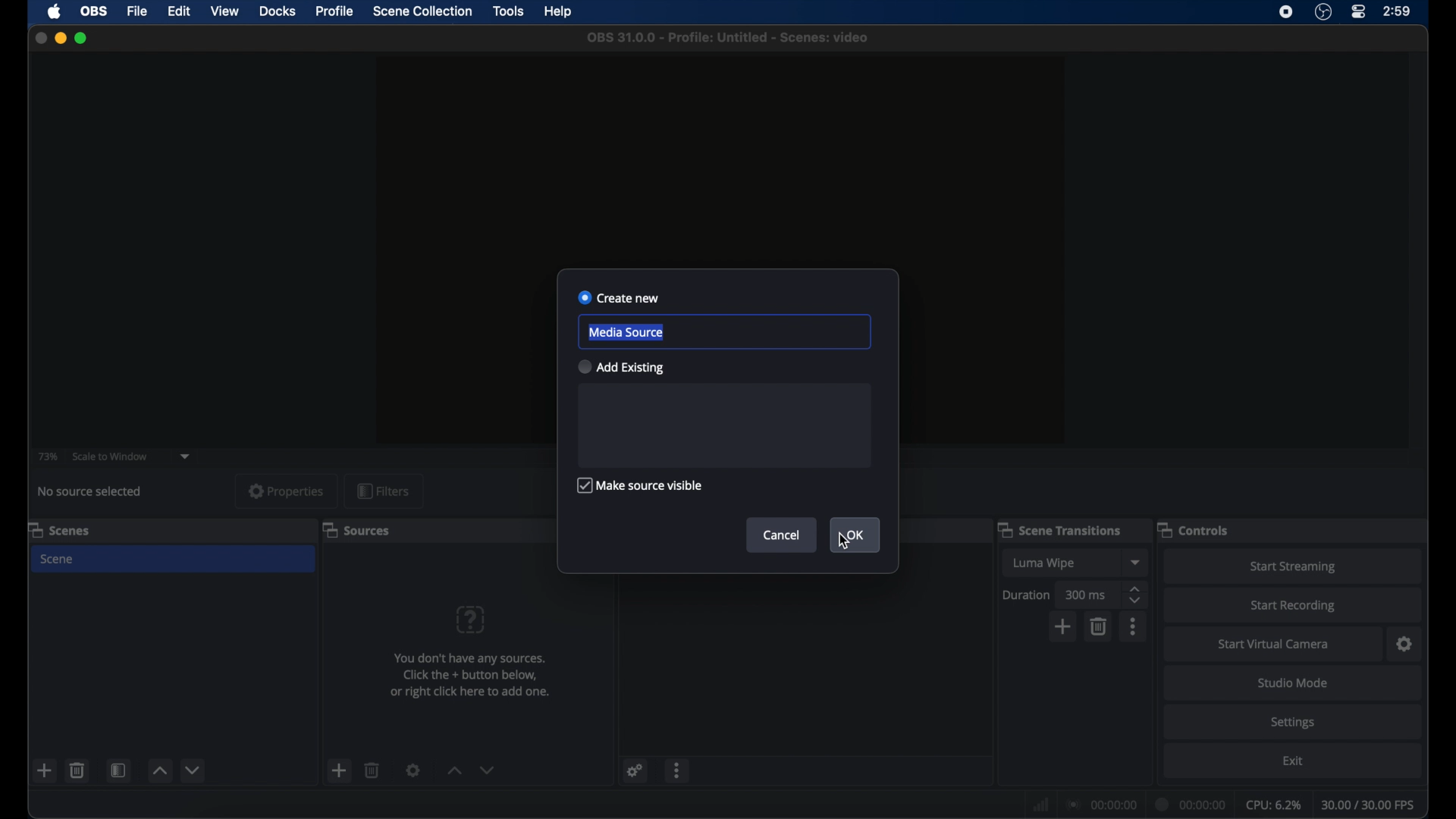 The height and width of the screenshot is (819, 1456). What do you see at coordinates (454, 771) in the screenshot?
I see `increment` at bounding box center [454, 771].